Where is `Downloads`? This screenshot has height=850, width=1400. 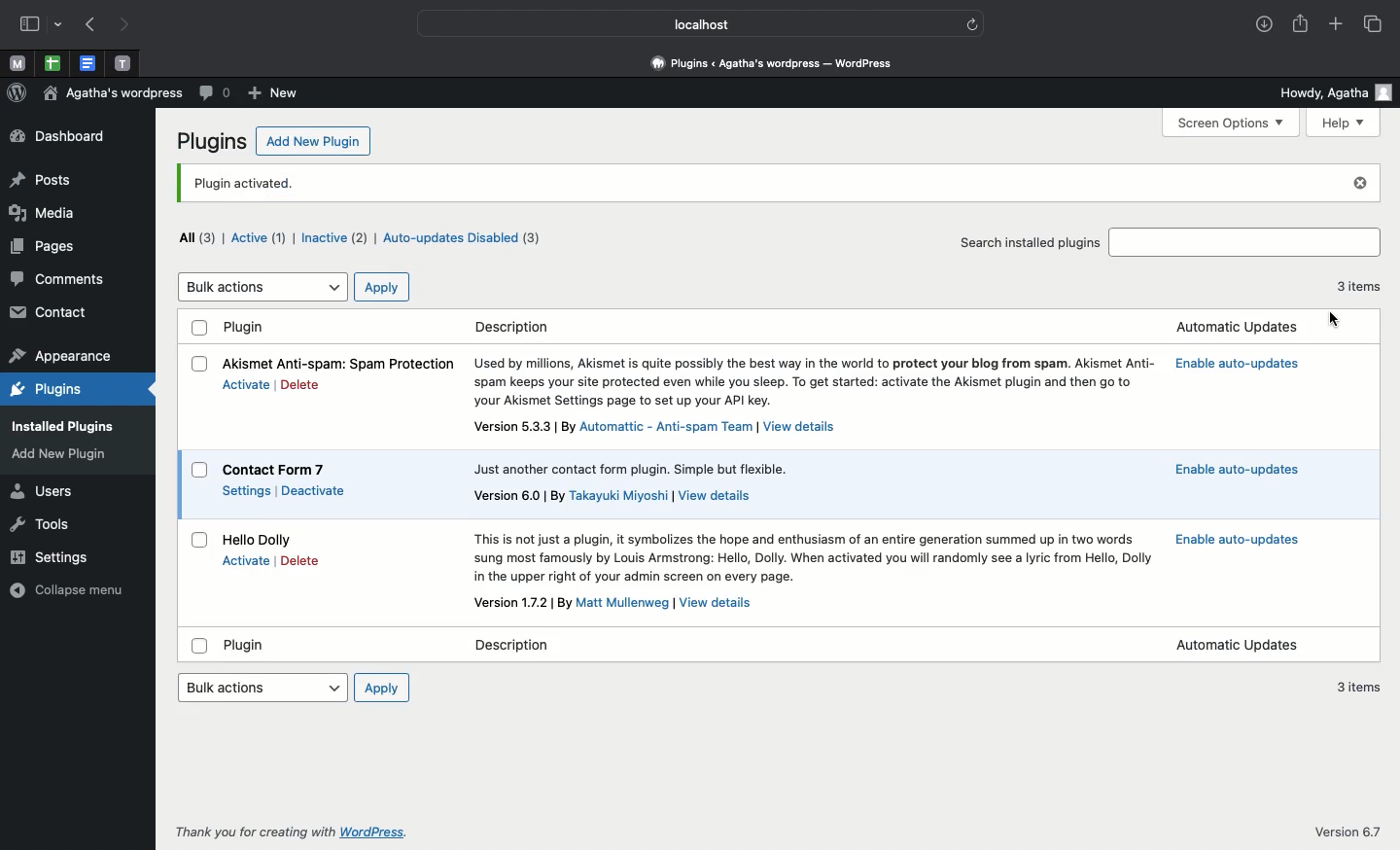 Downloads is located at coordinates (1261, 26).